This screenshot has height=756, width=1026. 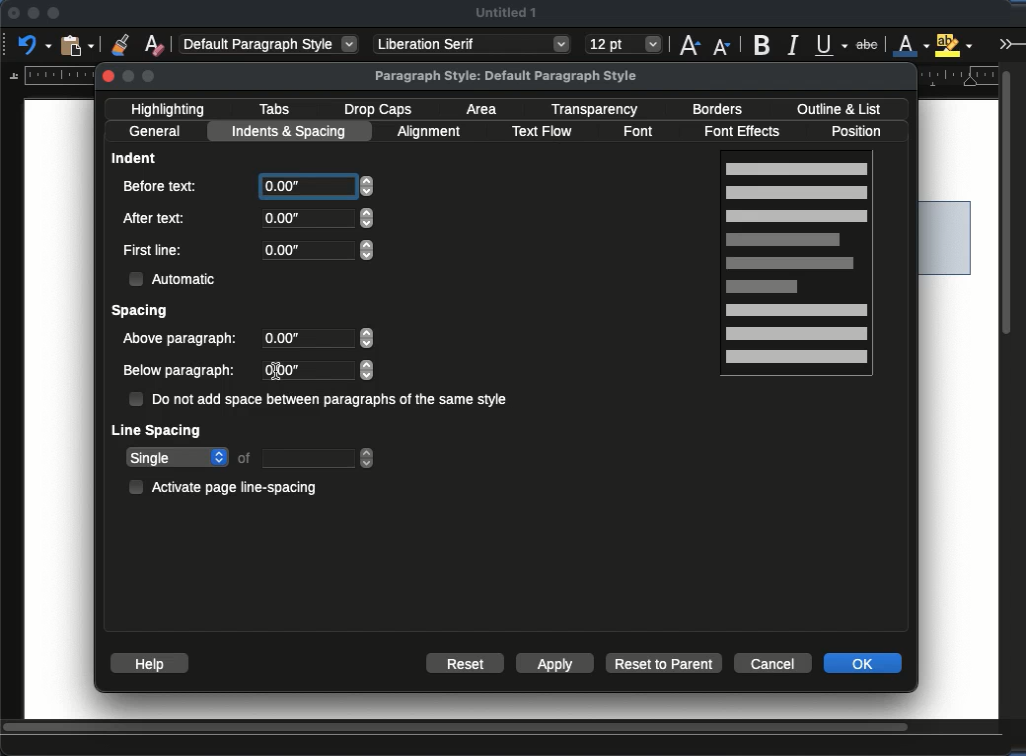 I want to click on general , so click(x=156, y=132).